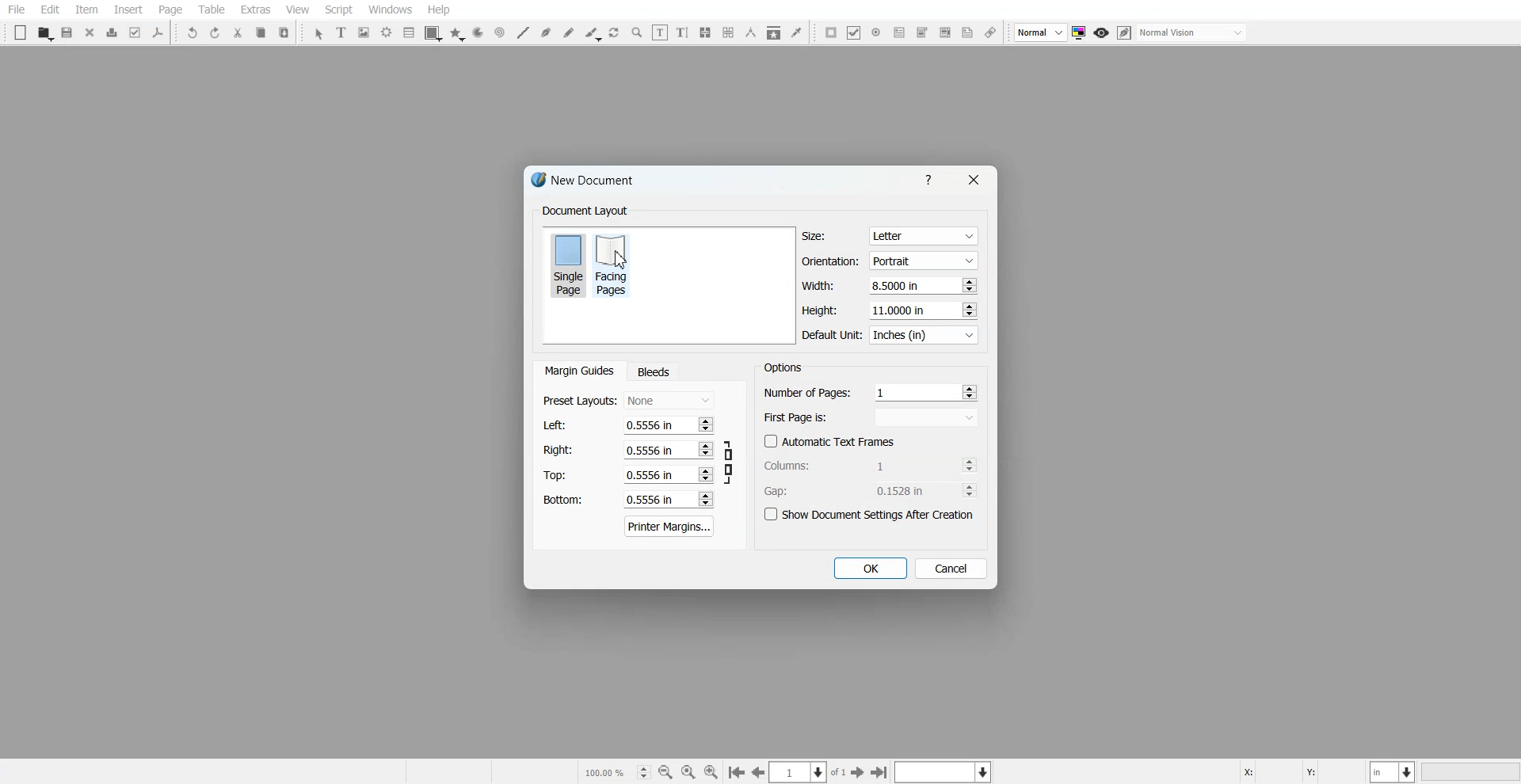 The width and height of the screenshot is (1521, 784). Describe the element at coordinates (682, 32) in the screenshot. I see `Edit Text` at that location.